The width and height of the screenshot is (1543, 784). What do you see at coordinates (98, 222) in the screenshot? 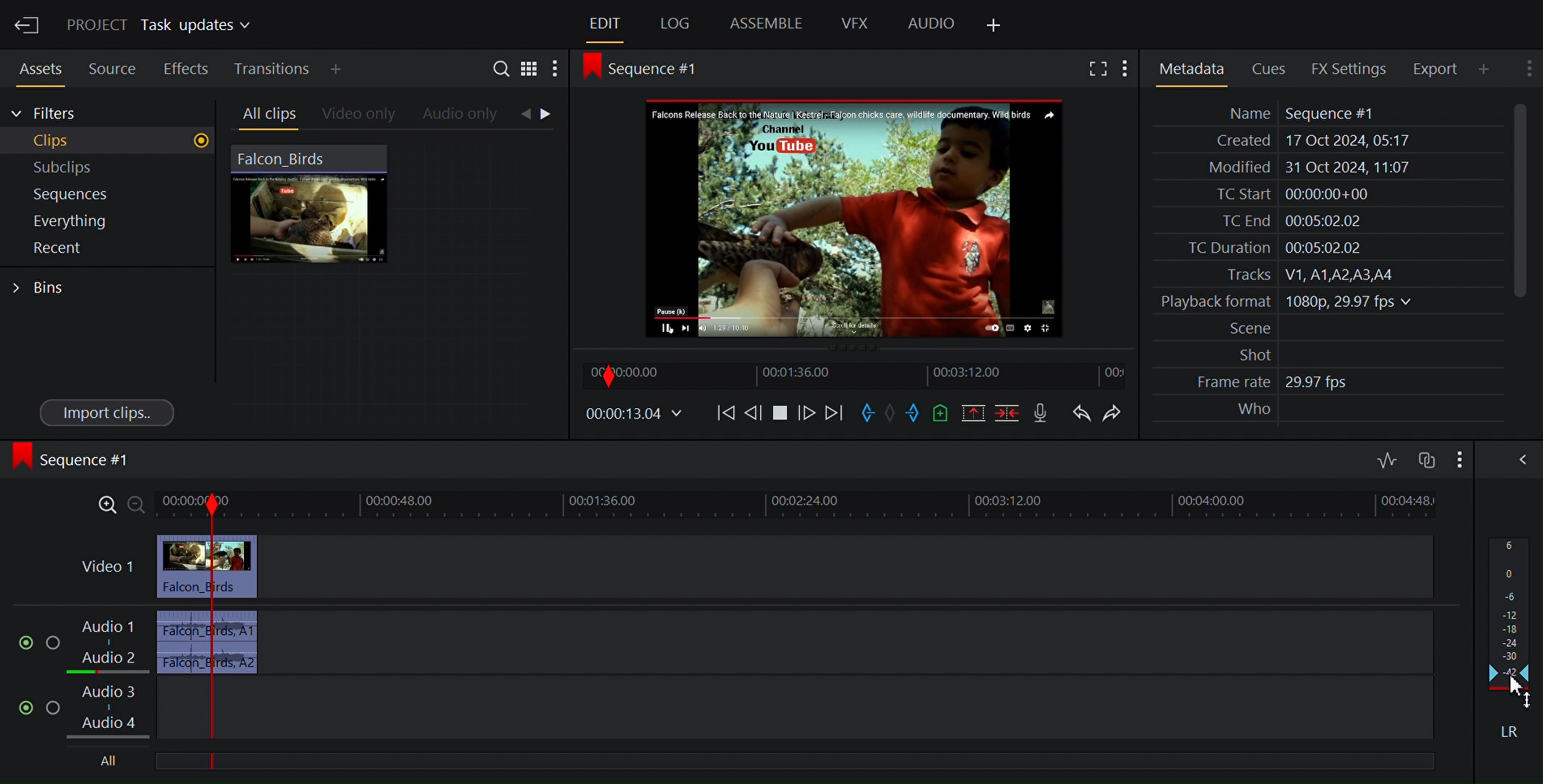
I see `Everything` at bounding box center [98, 222].